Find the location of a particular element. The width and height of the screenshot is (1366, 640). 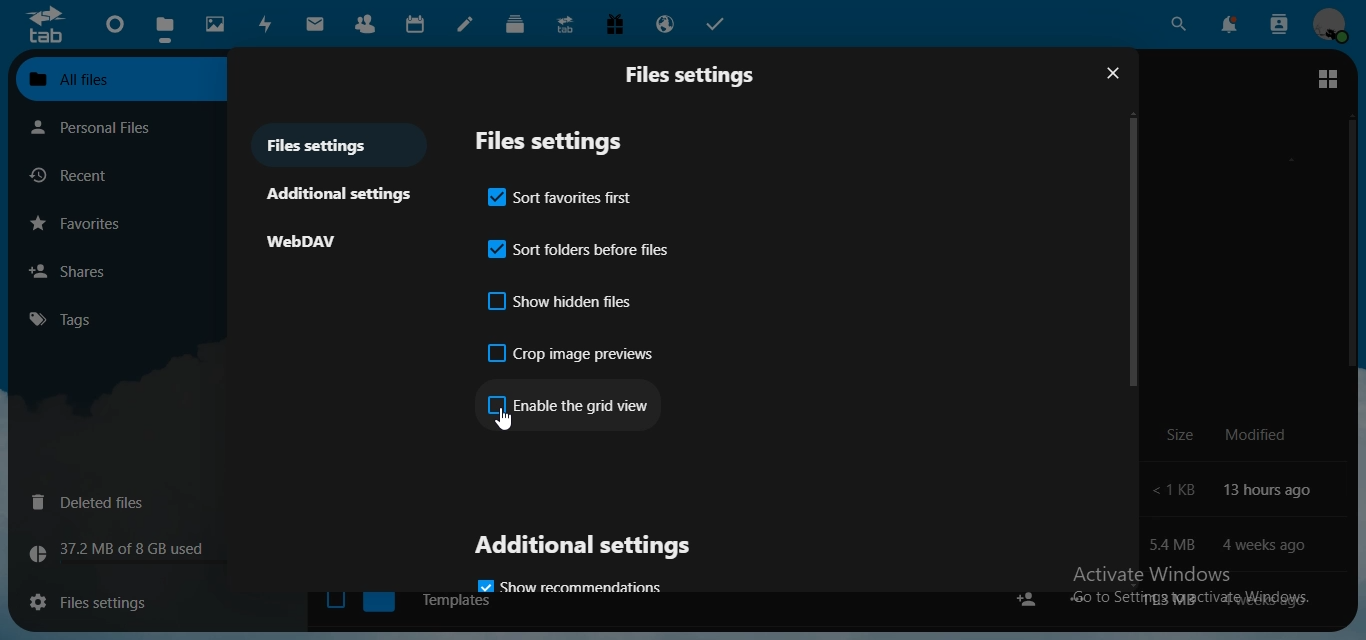

tasks is located at coordinates (721, 24).